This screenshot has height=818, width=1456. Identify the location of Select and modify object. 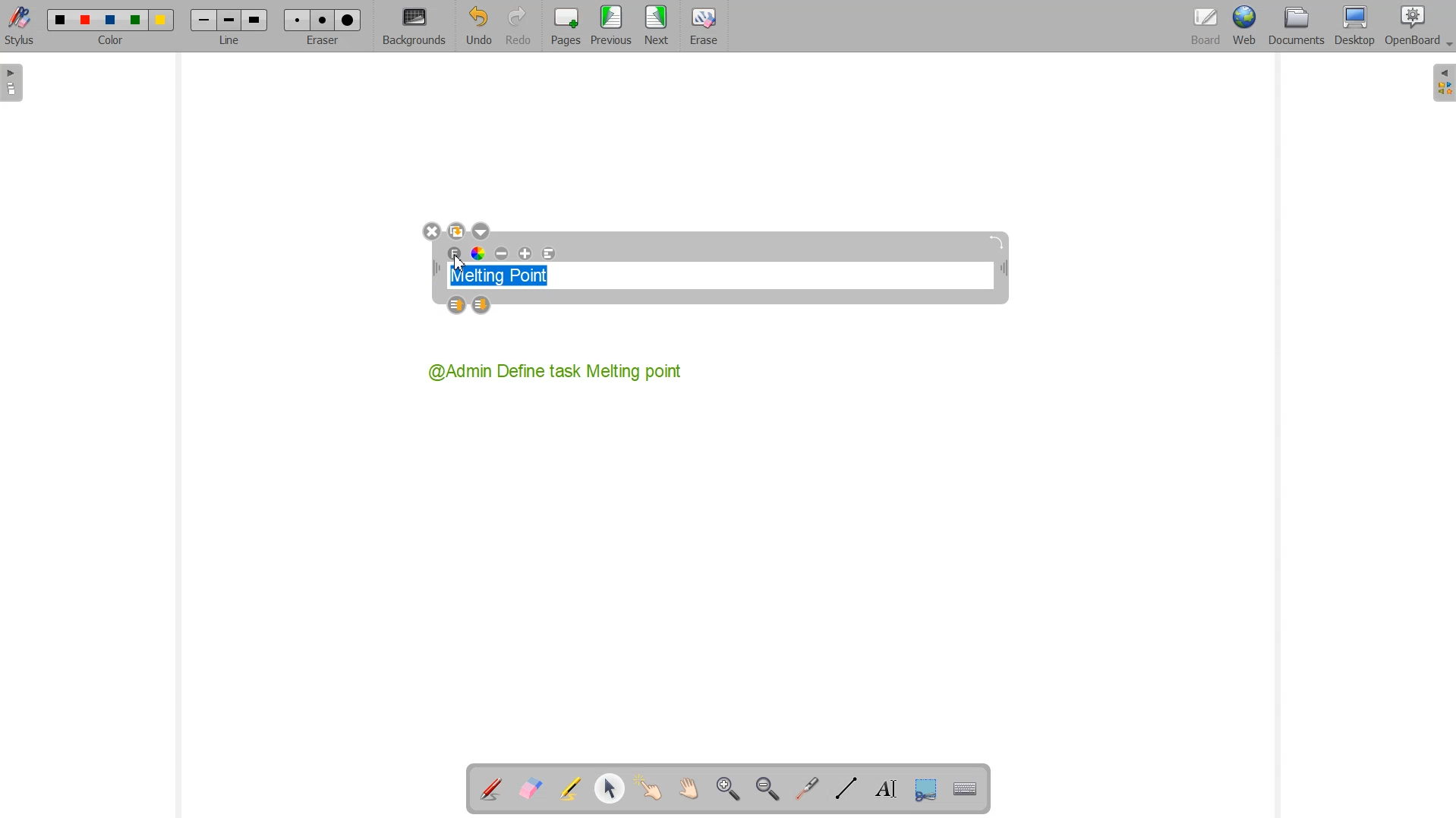
(610, 789).